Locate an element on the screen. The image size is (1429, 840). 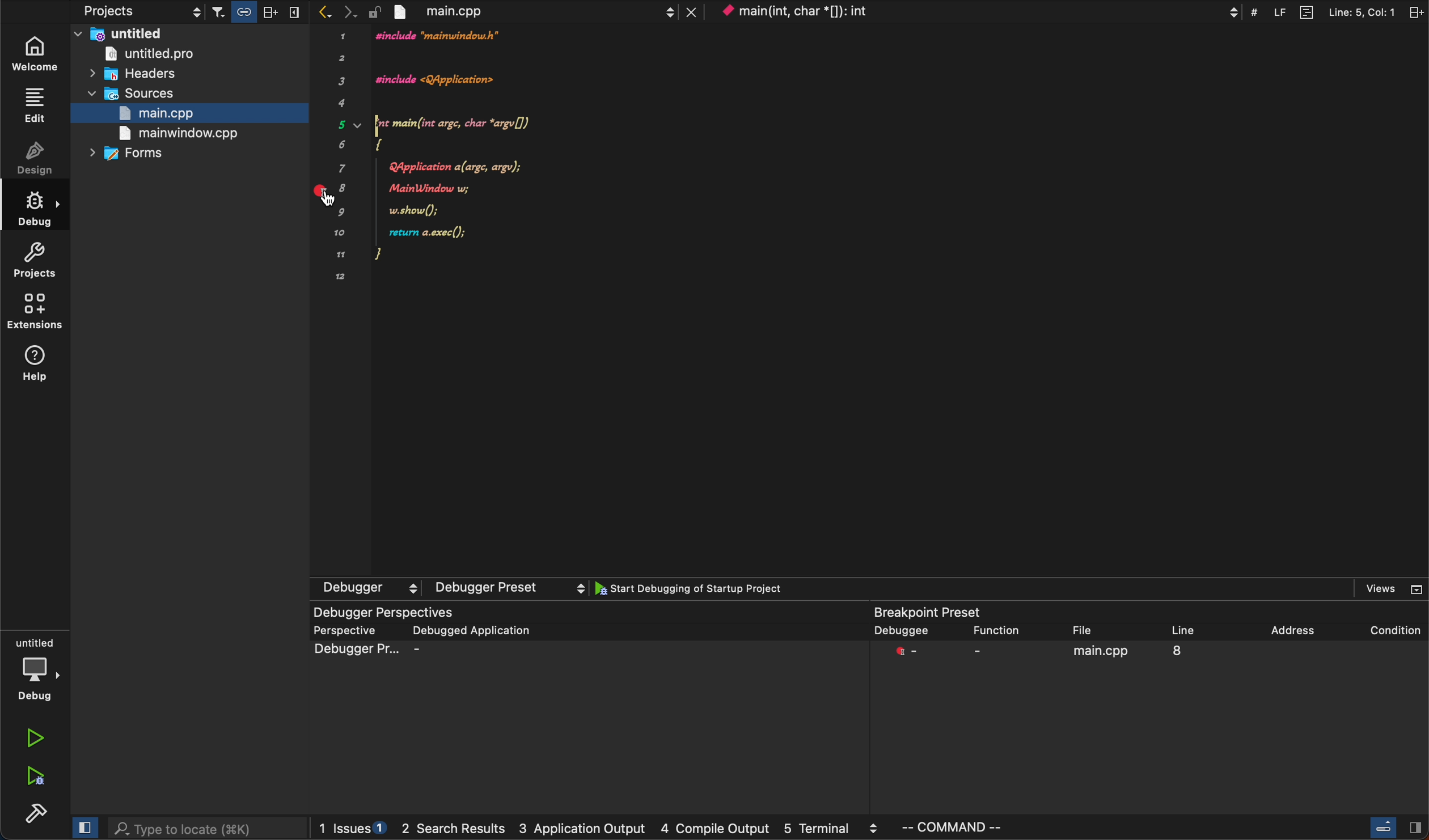
code is located at coordinates (512, 163).